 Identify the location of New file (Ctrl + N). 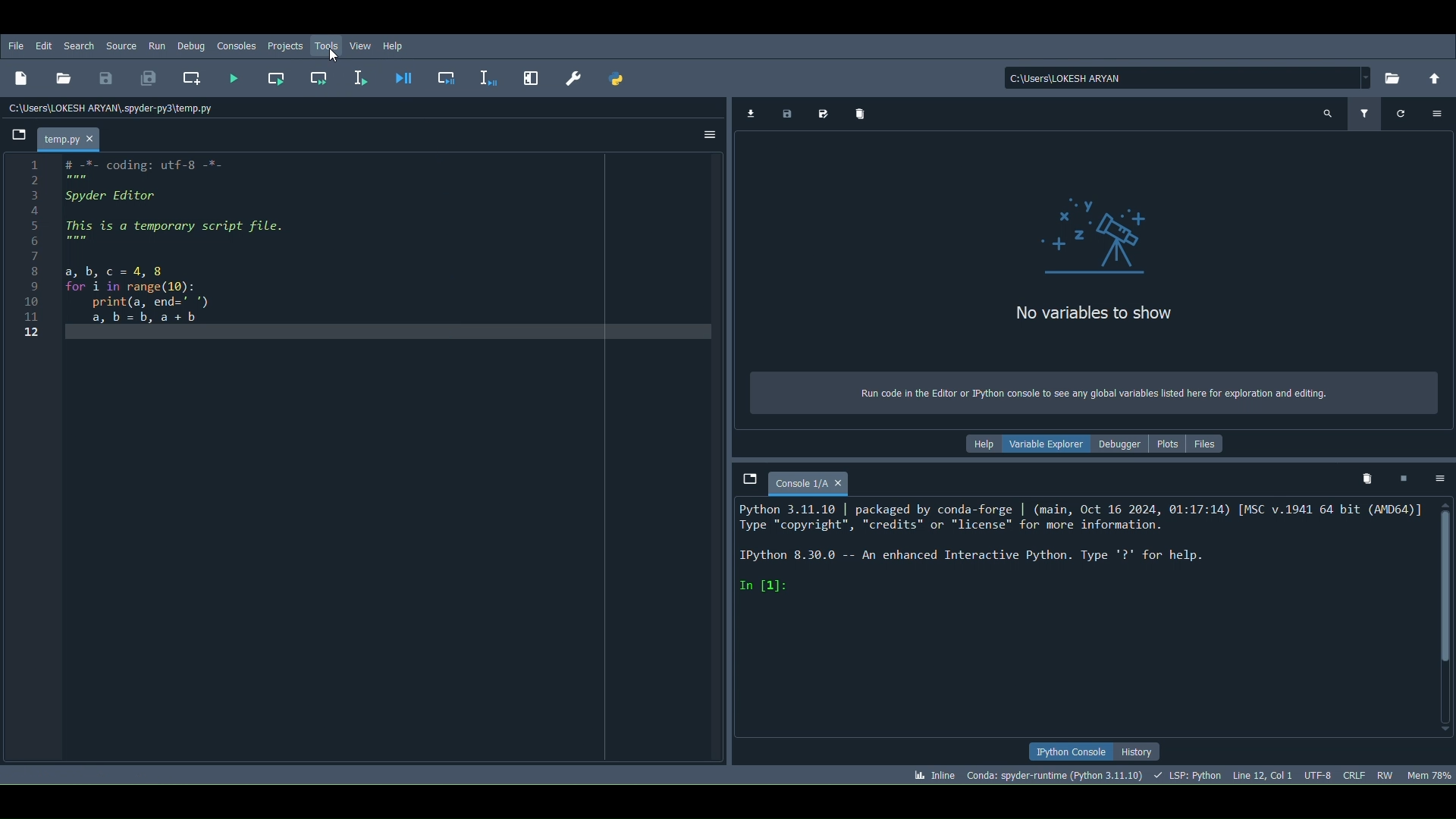
(20, 77).